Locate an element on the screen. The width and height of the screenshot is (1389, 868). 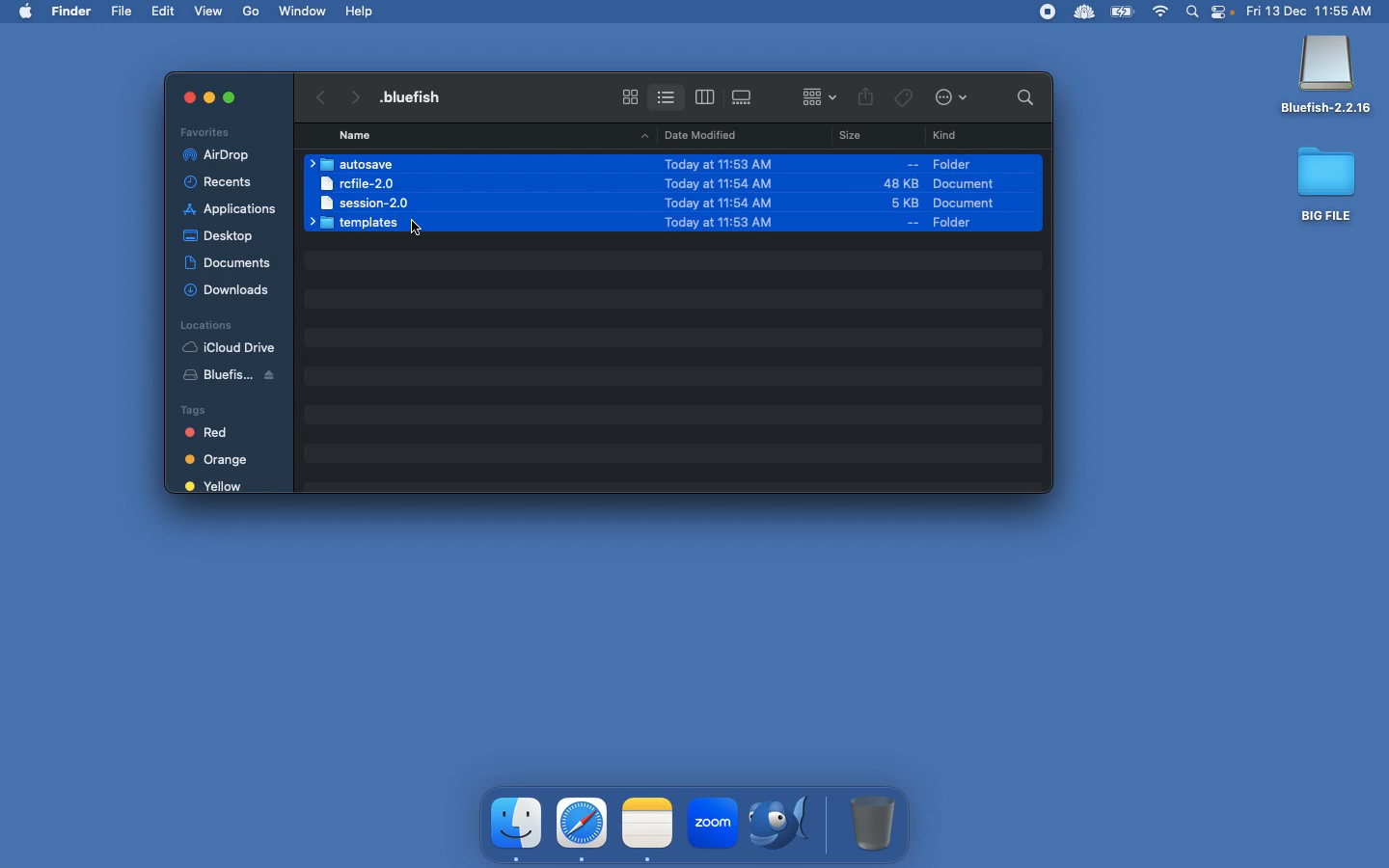
Help is located at coordinates (361, 11).